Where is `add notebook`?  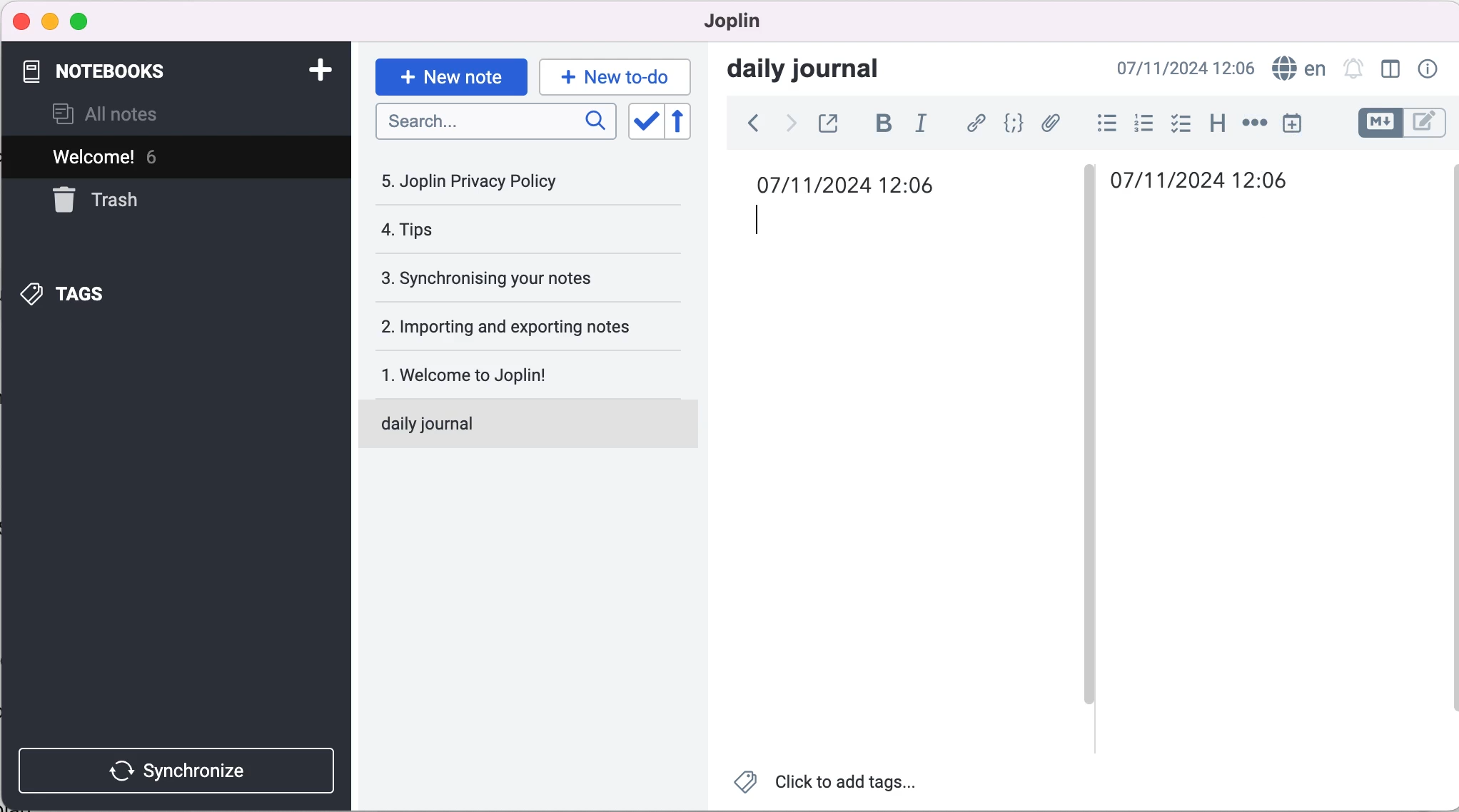
add notebook is located at coordinates (320, 71).